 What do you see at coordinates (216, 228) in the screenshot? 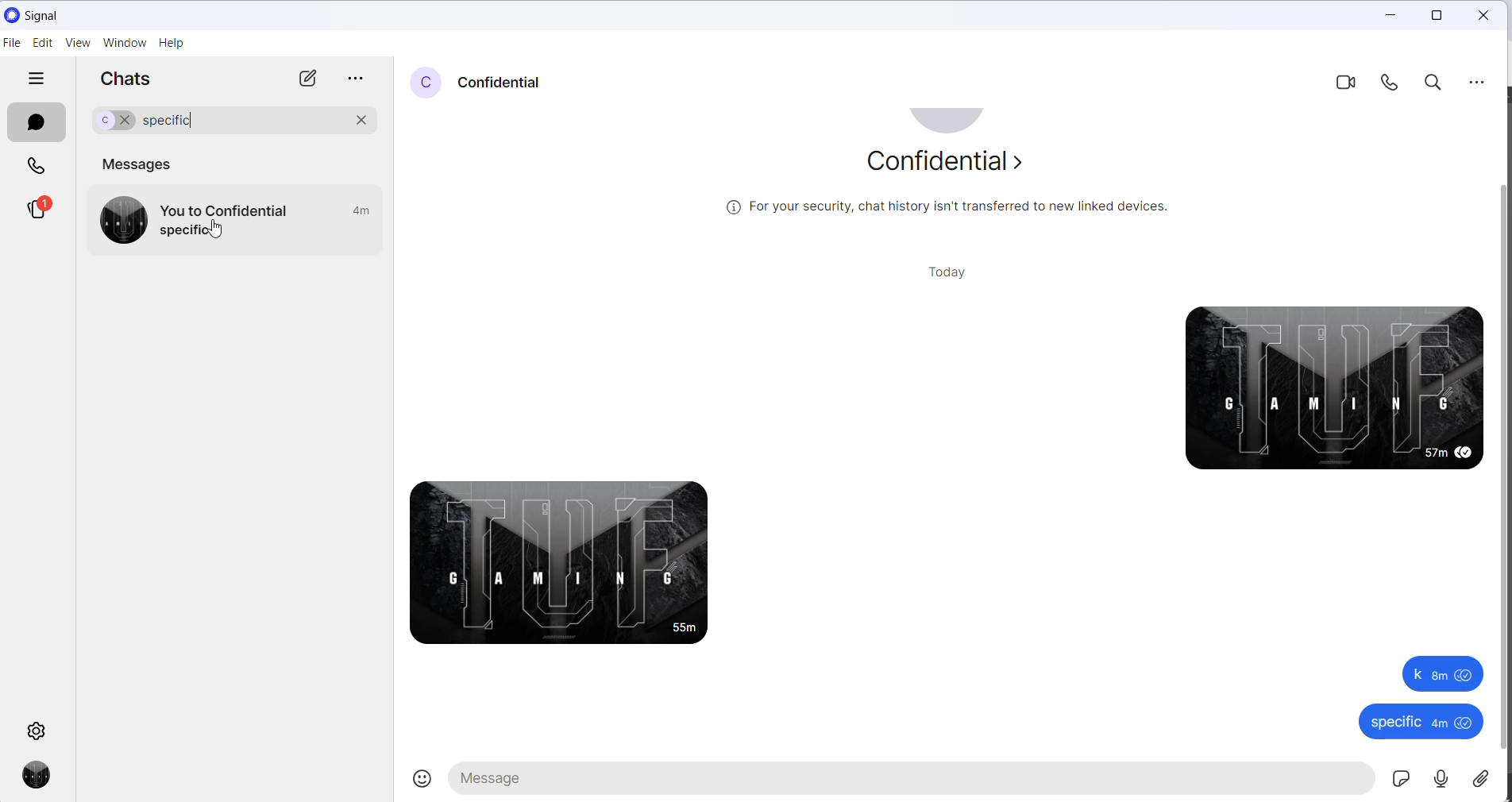
I see `cursor` at bounding box center [216, 228].